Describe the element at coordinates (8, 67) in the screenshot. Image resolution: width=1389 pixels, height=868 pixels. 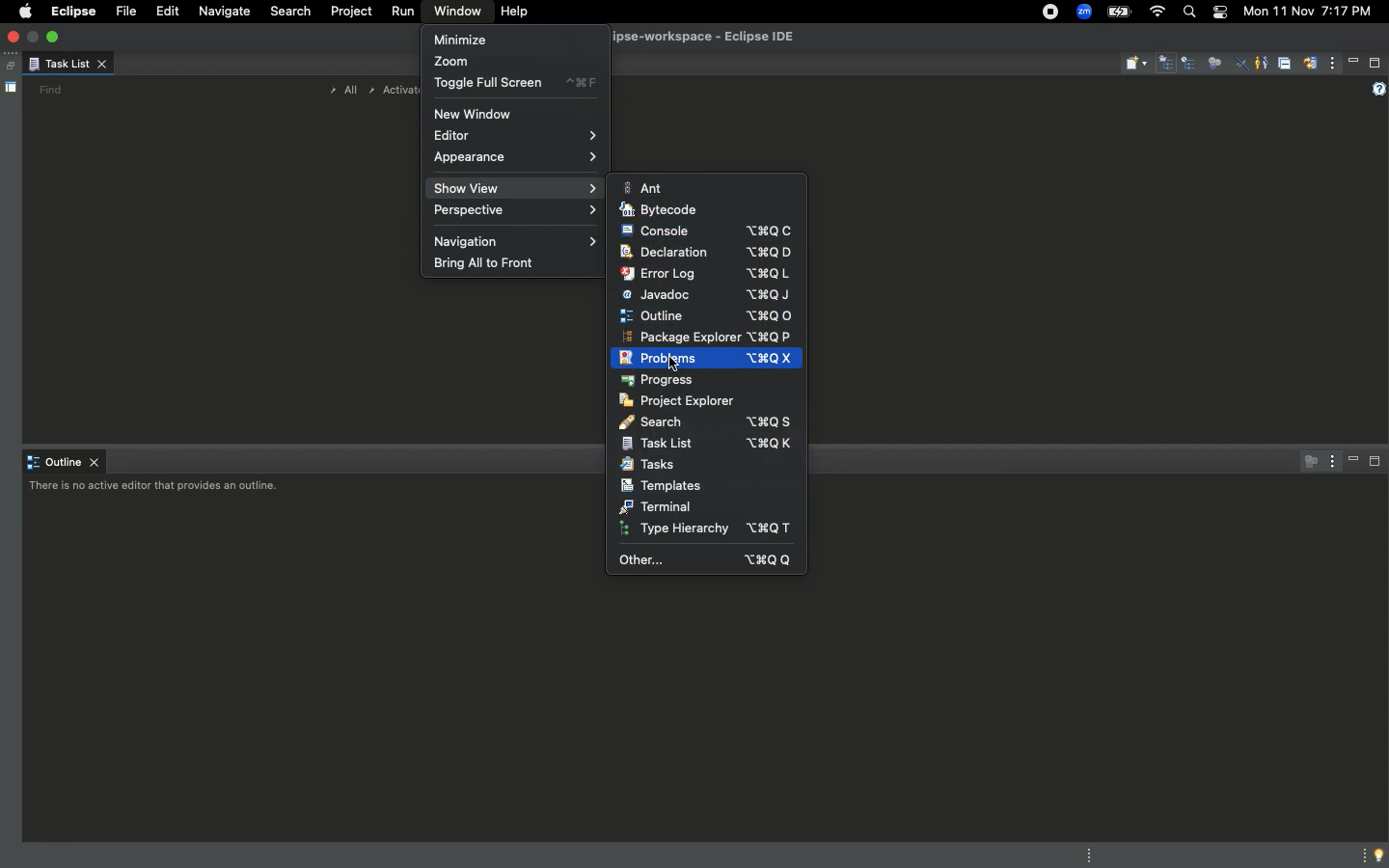
I see `Restore` at that location.